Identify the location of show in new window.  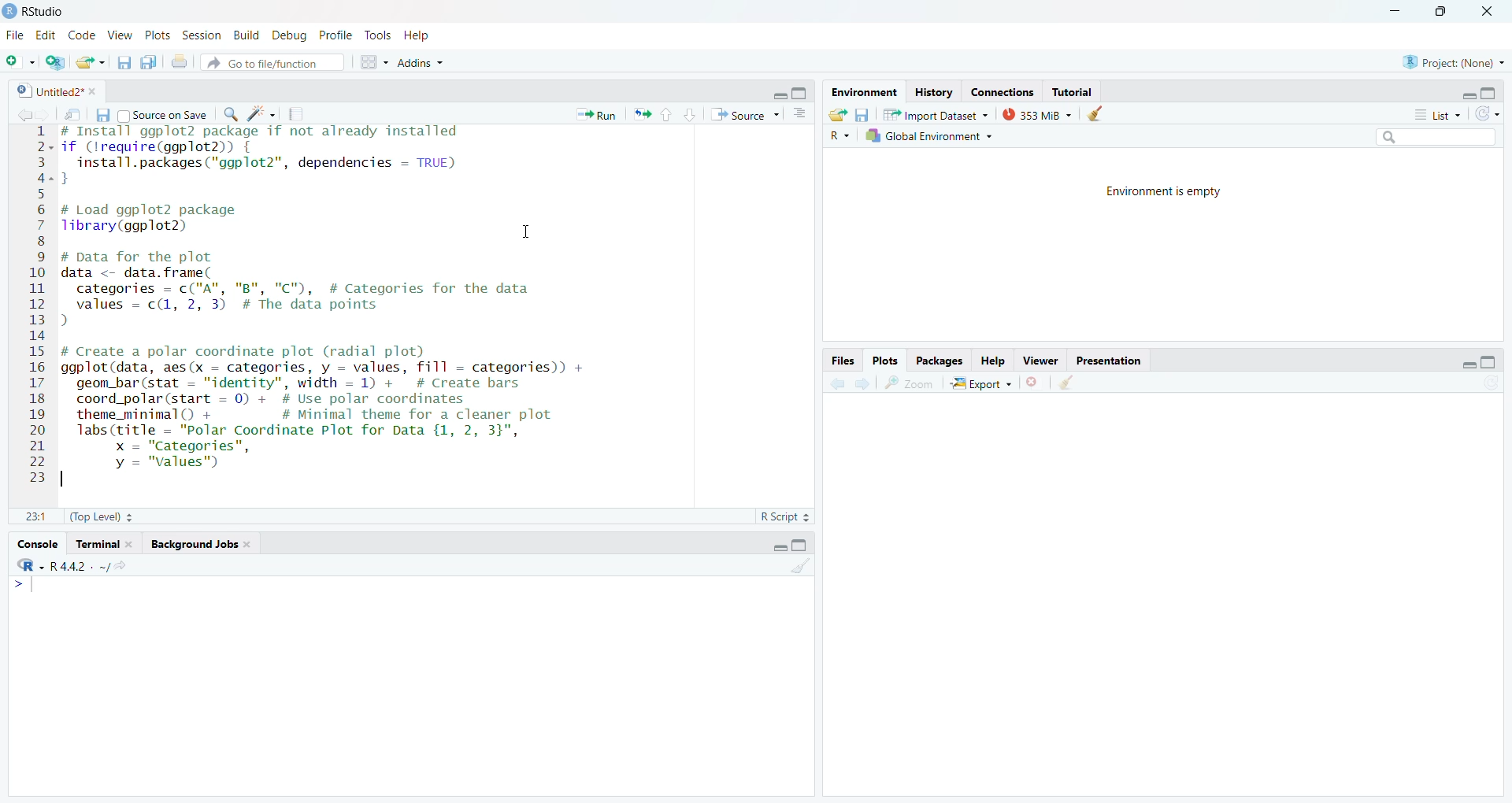
(70, 113).